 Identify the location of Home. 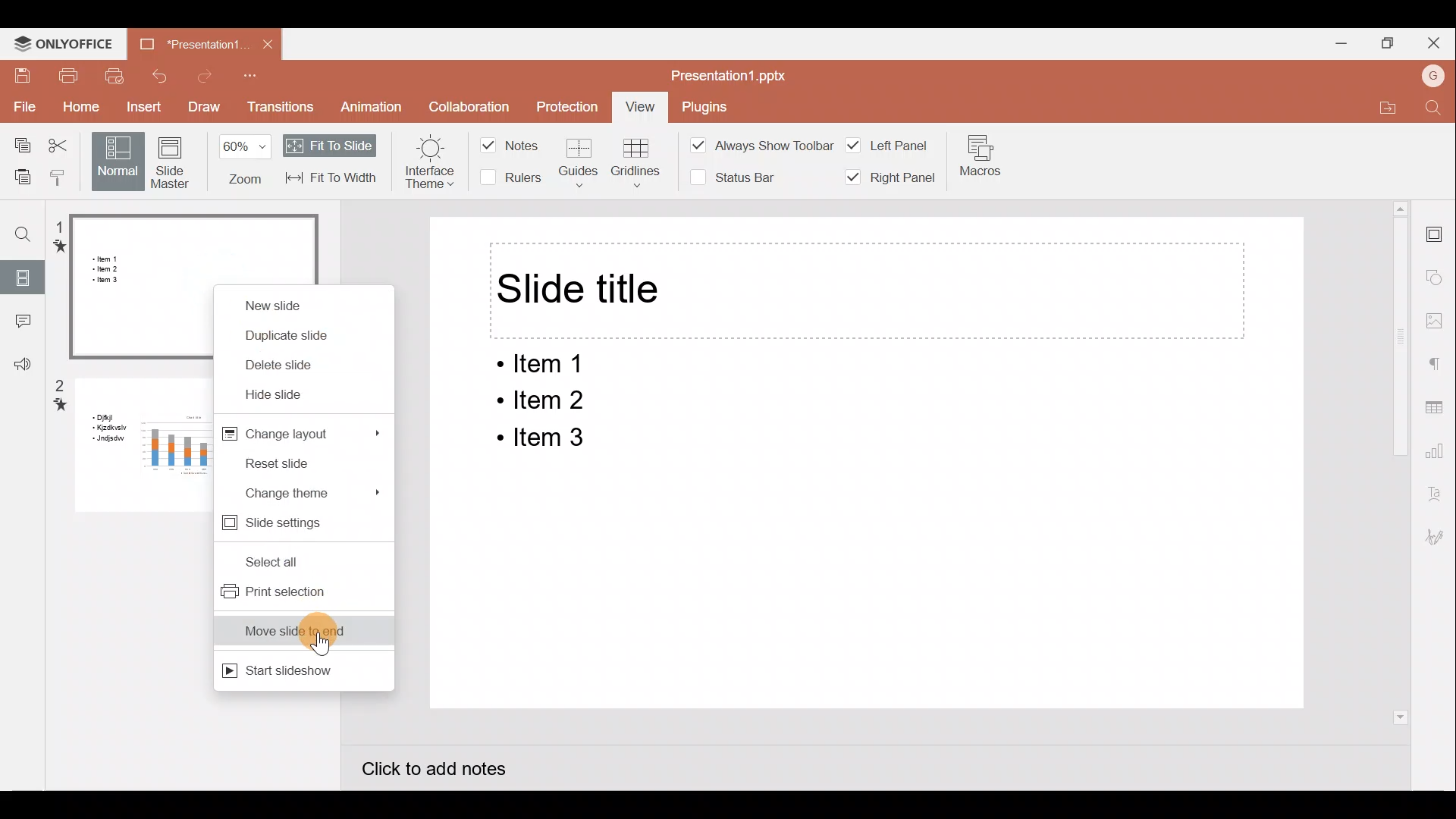
(80, 107).